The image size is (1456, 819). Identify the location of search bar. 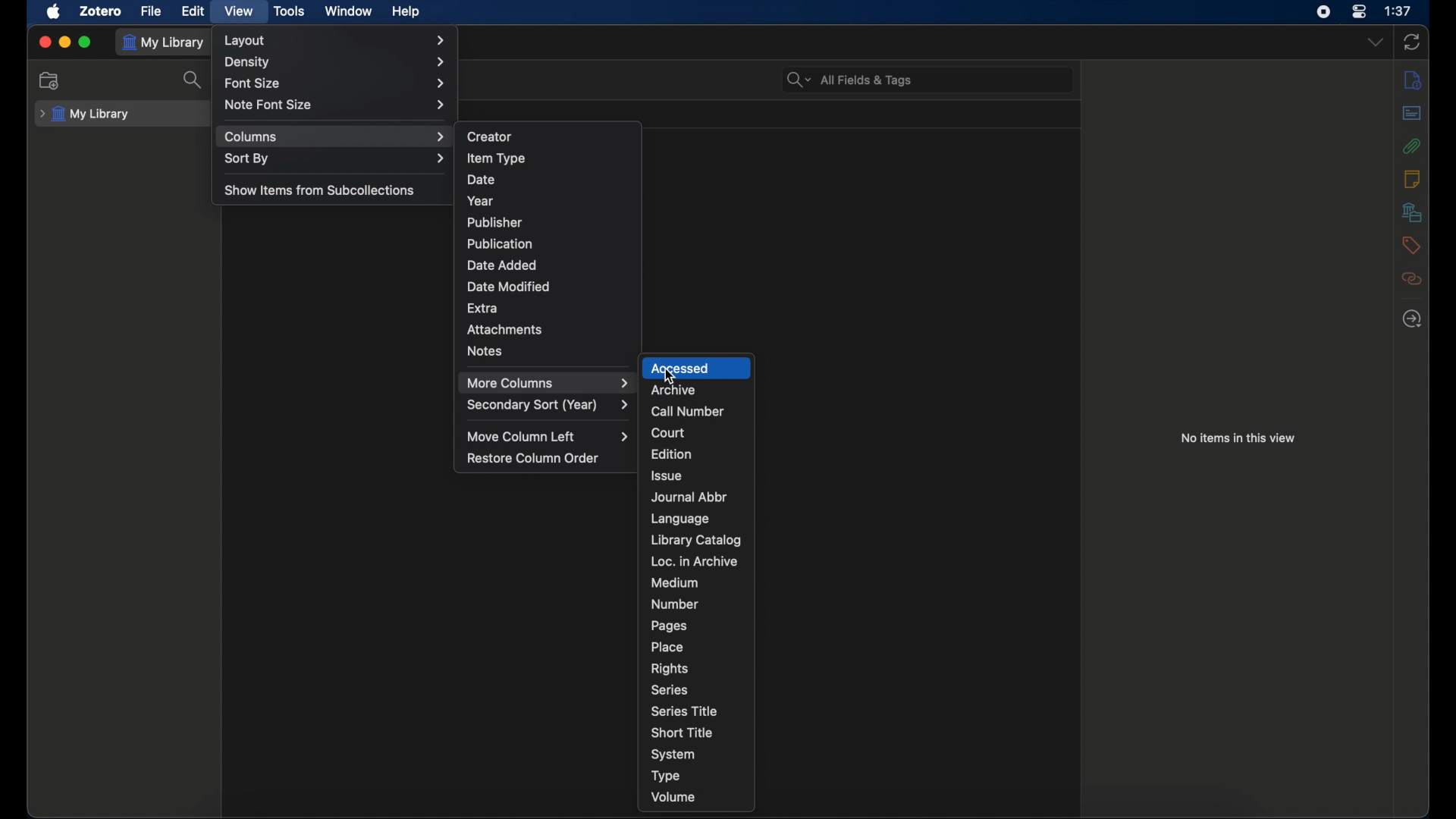
(850, 80).